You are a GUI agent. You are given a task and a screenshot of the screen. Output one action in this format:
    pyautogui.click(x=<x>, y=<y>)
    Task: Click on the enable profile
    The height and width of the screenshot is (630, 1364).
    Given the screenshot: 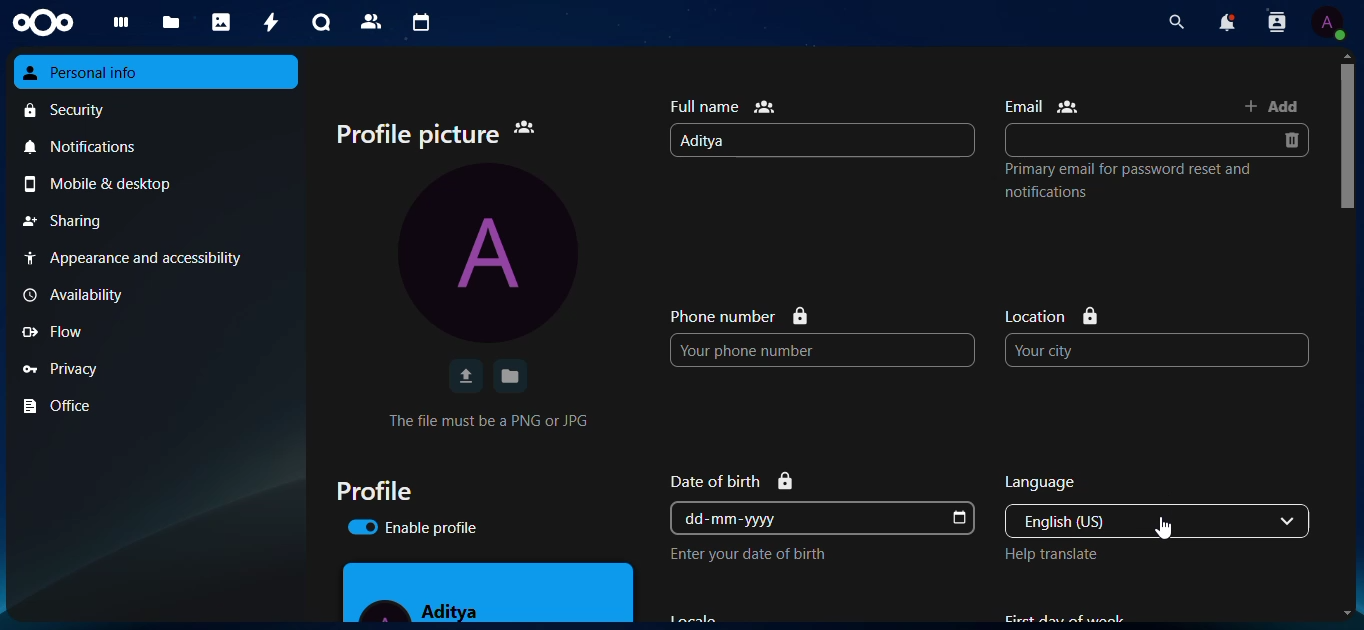 What is the action you would take?
    pyautogui.click(x=425, y=529)
    